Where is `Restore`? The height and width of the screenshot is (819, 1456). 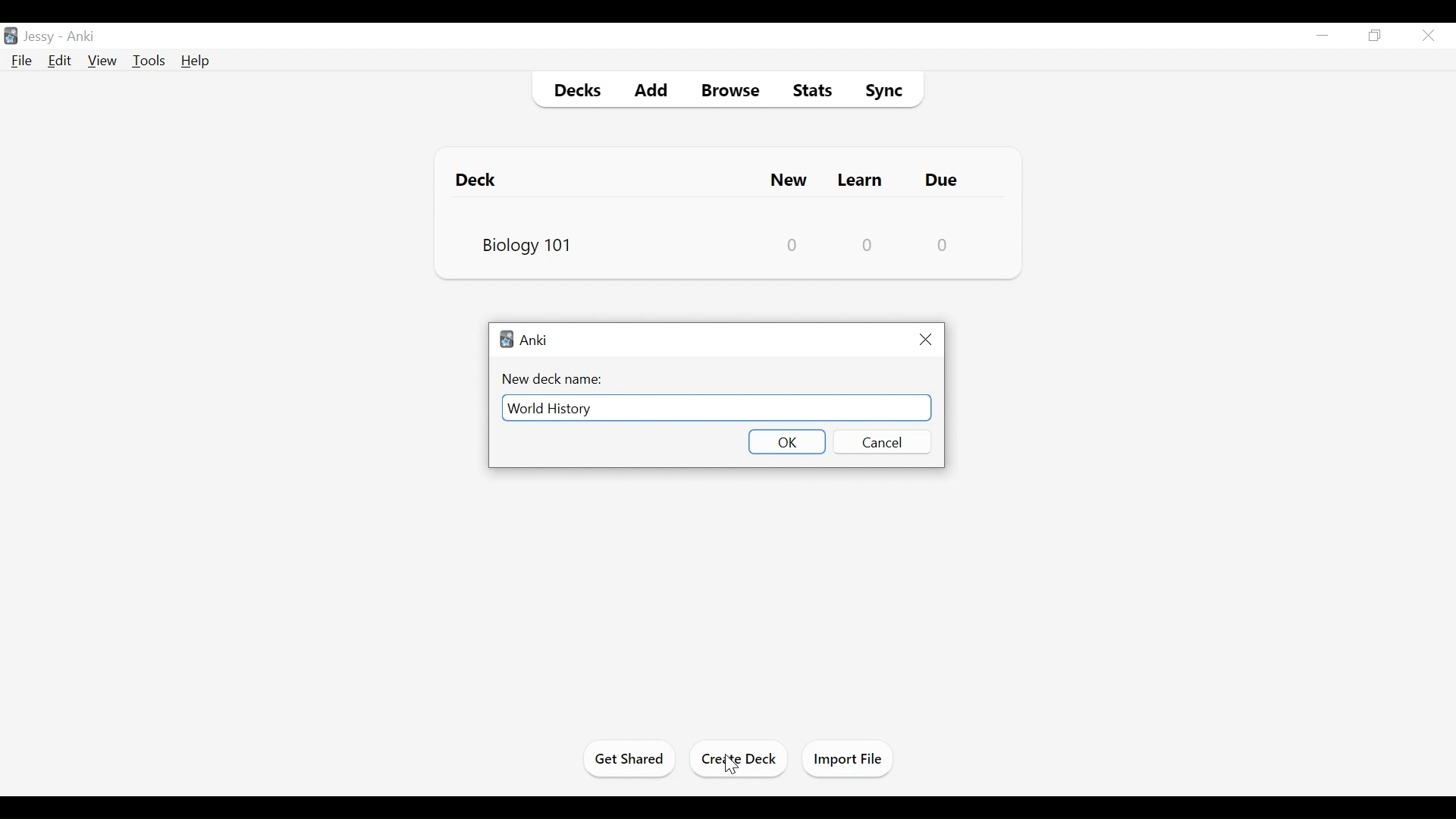
Restore is located at coordinates (1375, 35).